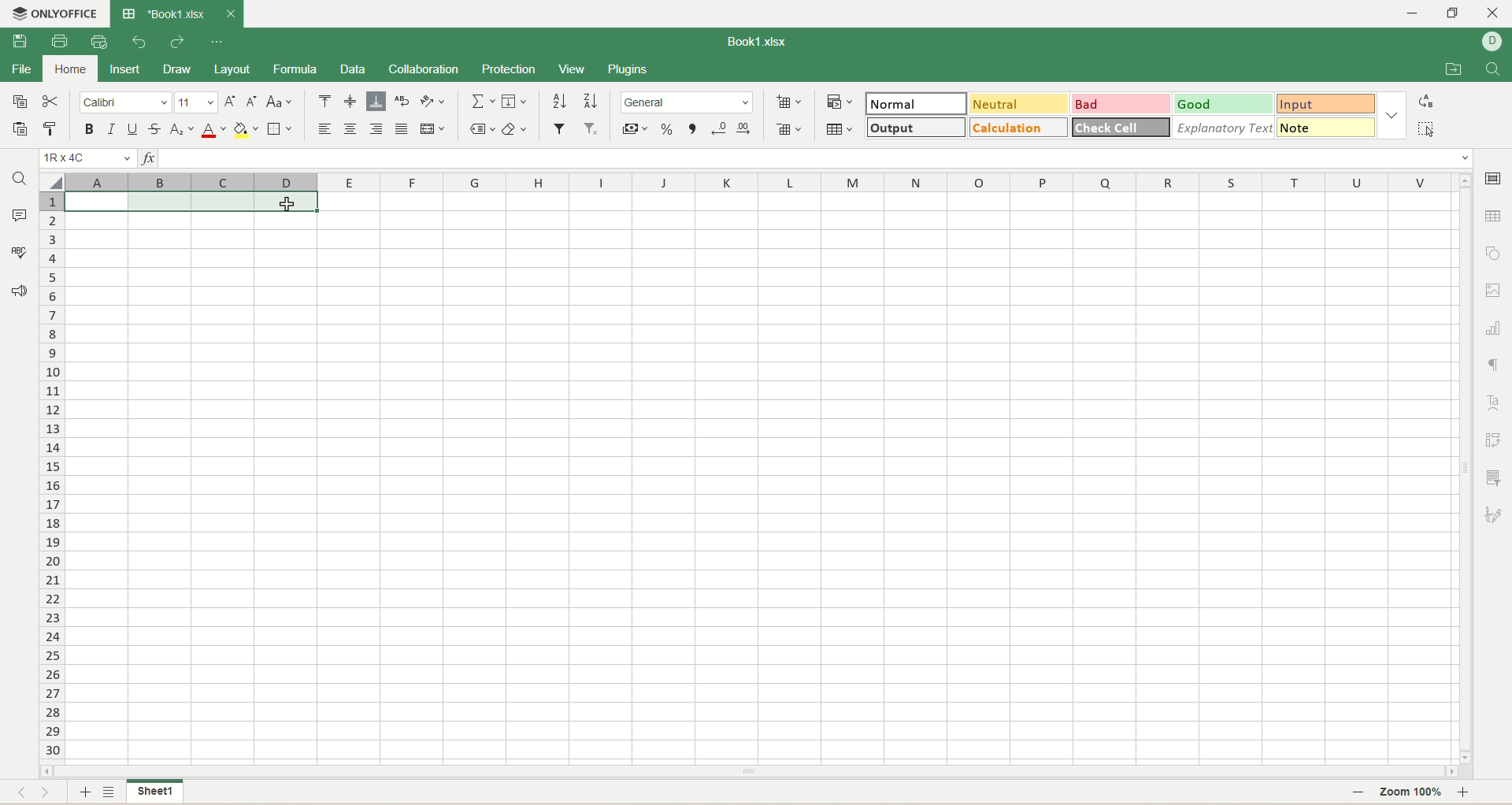  Describe the element at coordinates (193, 202) in the screenshot. I see `selected cells` at that location.